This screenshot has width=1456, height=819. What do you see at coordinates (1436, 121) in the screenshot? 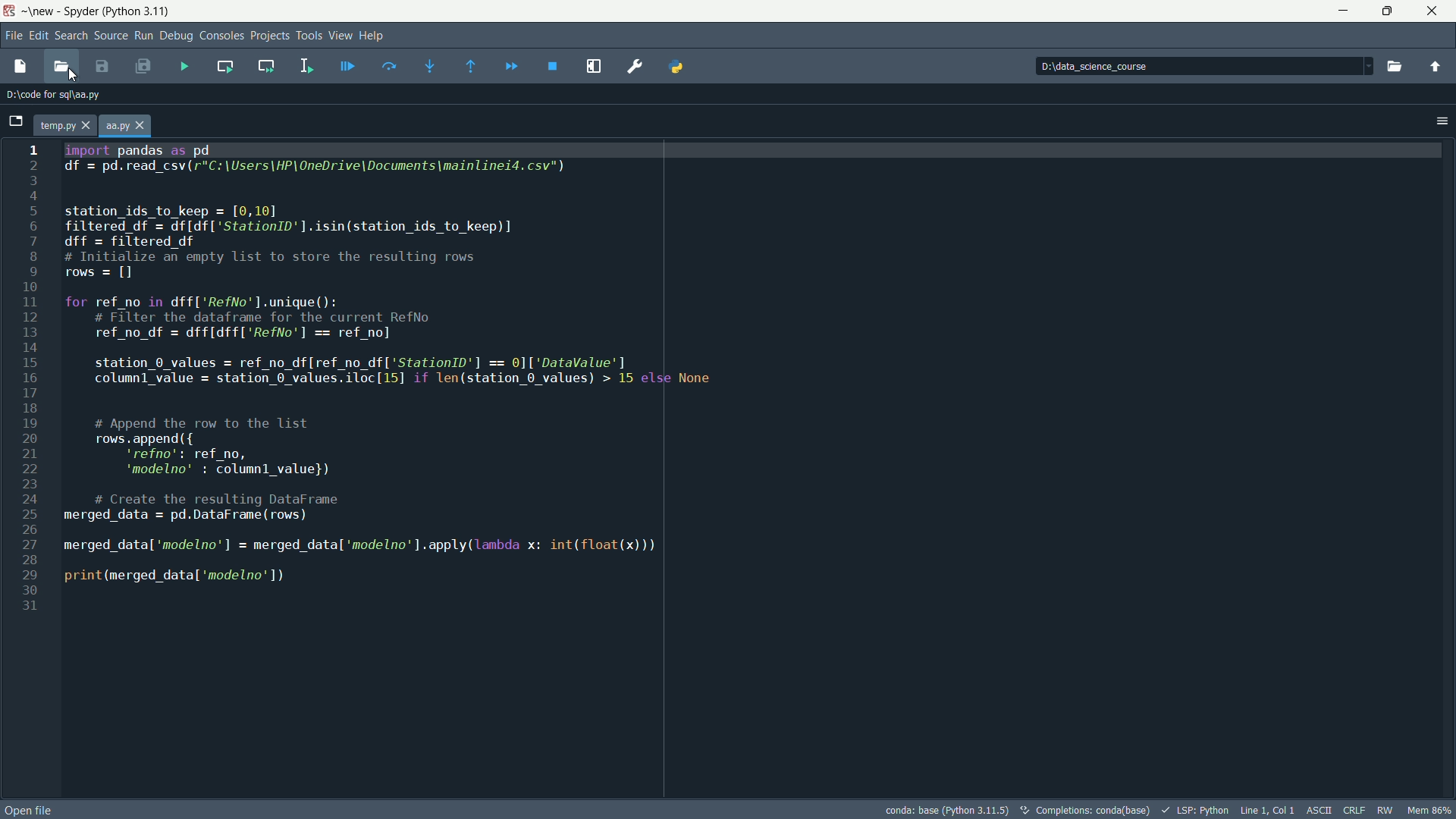
I see `options` at bounding box center [1436, 121].